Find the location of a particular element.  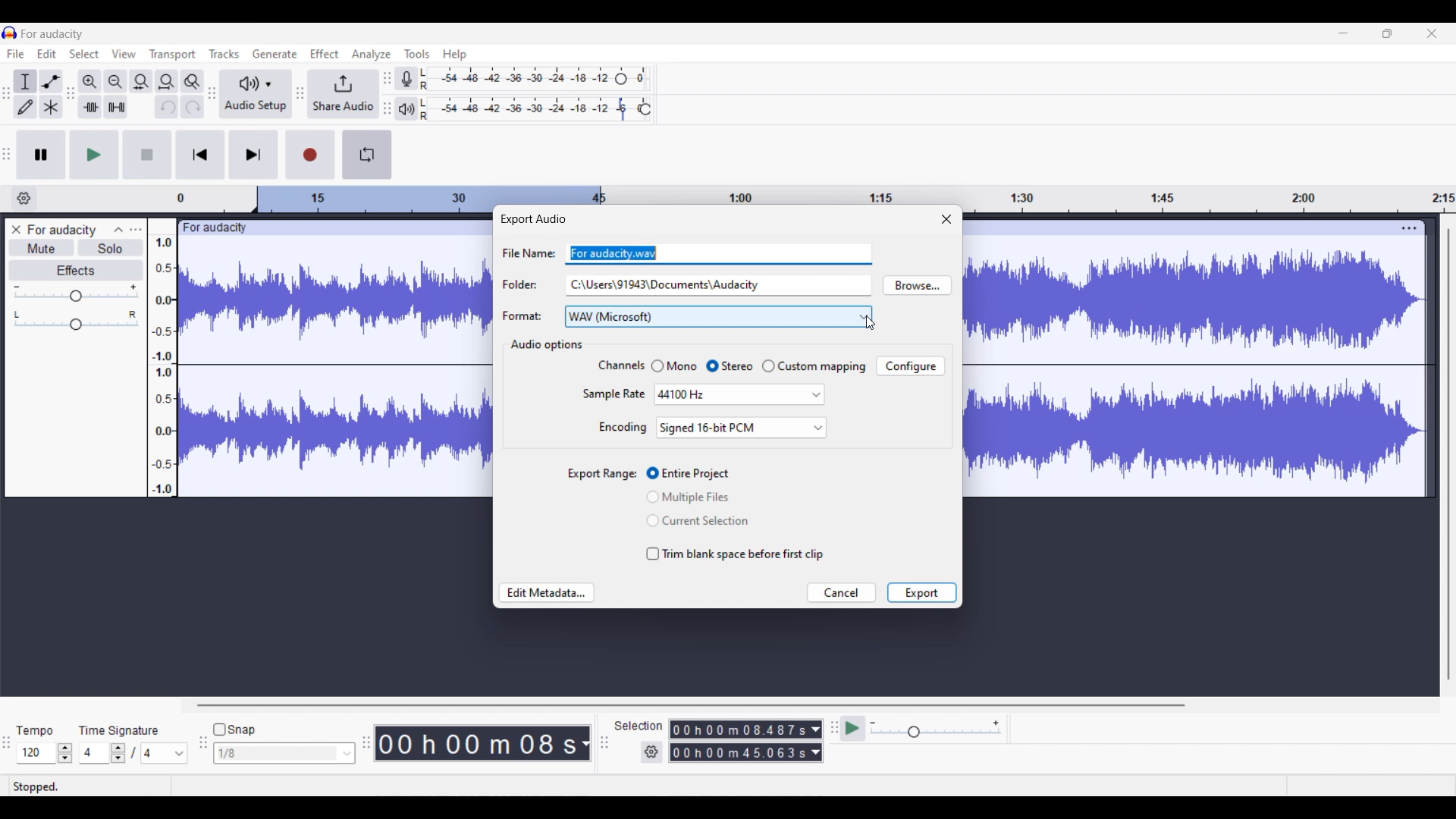

Input time signature is located at coordinates (93, 753).